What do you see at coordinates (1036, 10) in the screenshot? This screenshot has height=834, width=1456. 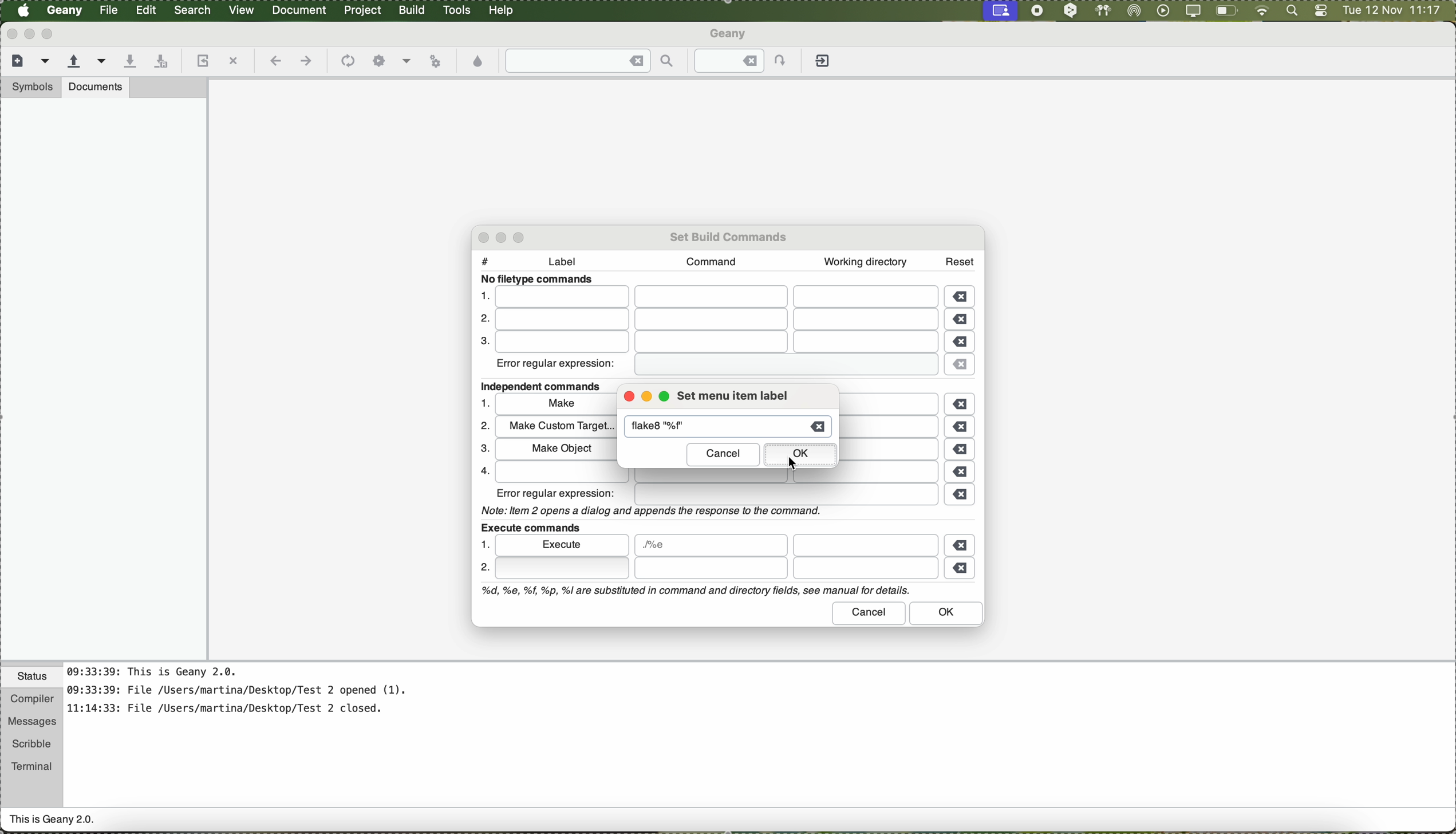 I see `stop recording` at bounding box center [1036, 10].